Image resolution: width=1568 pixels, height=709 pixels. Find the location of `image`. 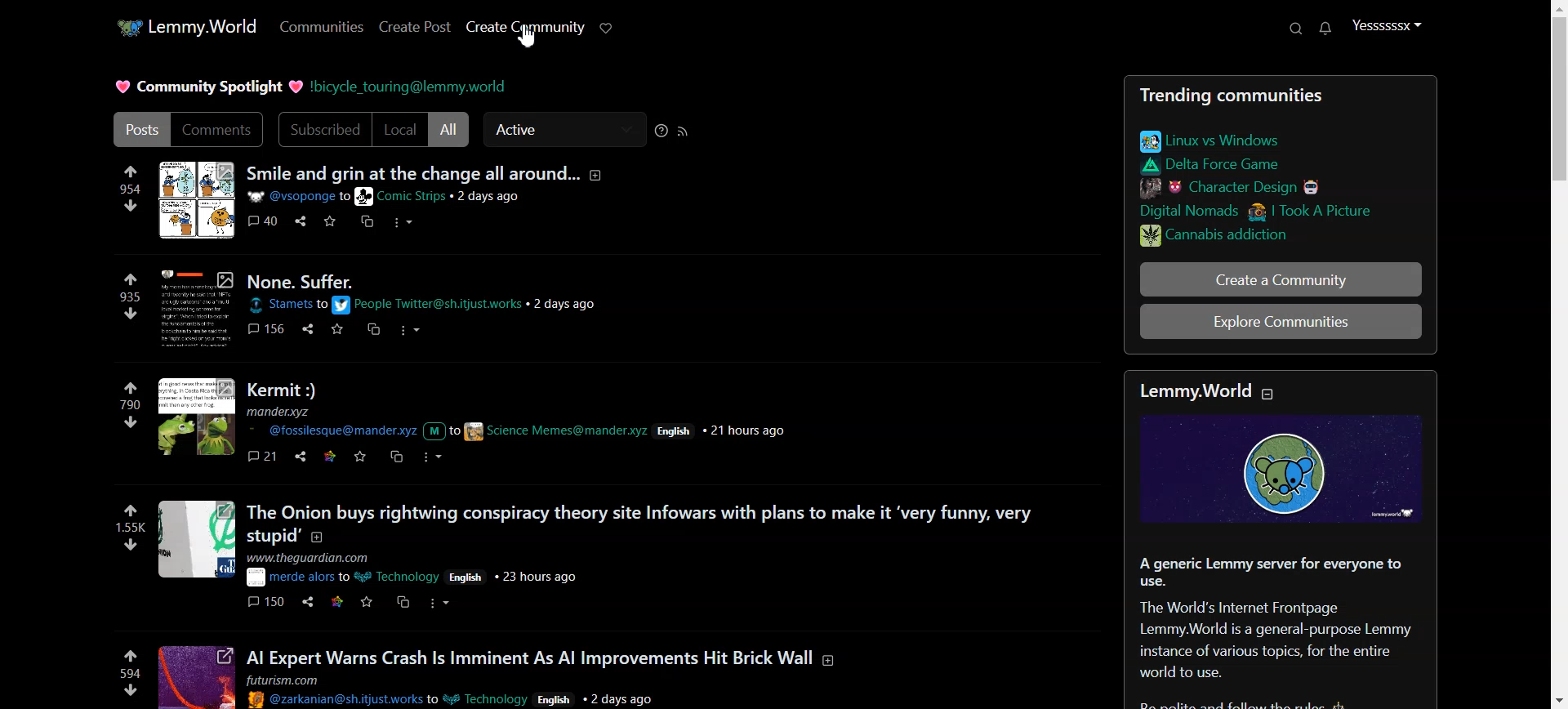

image is located at coordinates (199, 308).